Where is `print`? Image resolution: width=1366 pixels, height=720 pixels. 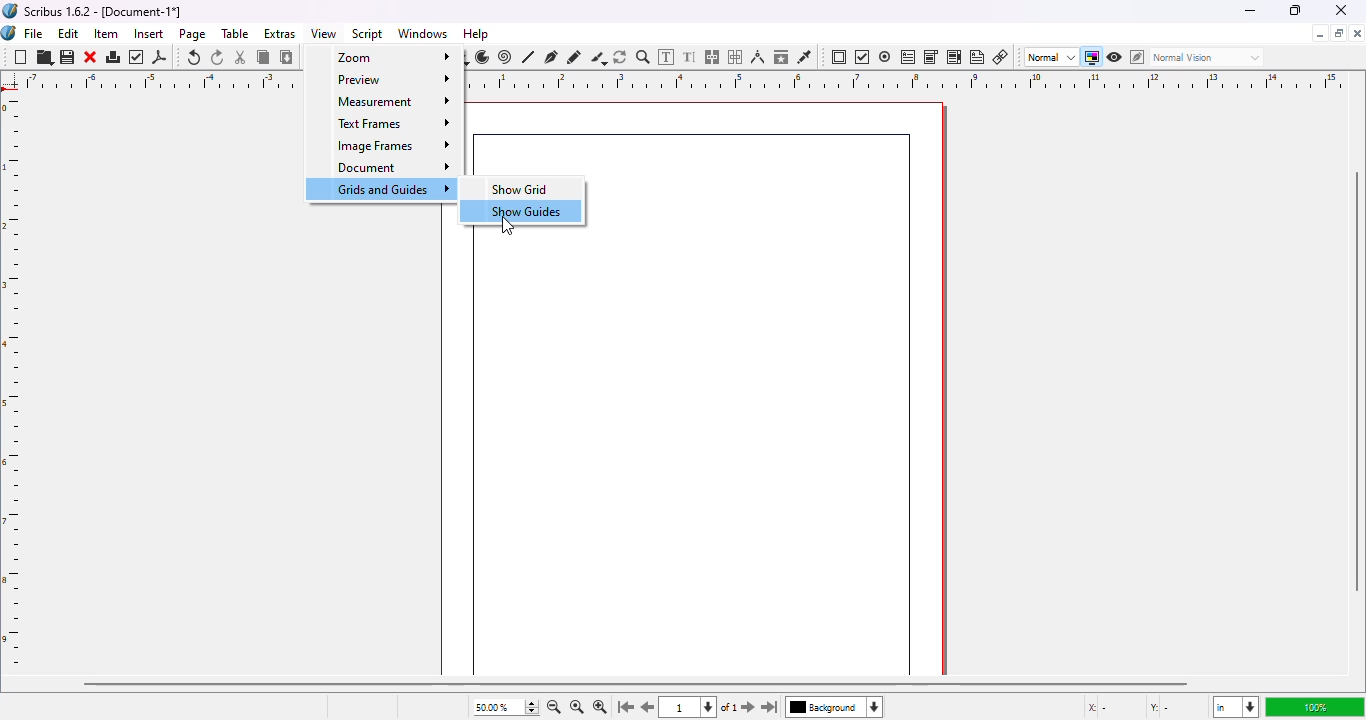
print is located at coordinates (114, 57).